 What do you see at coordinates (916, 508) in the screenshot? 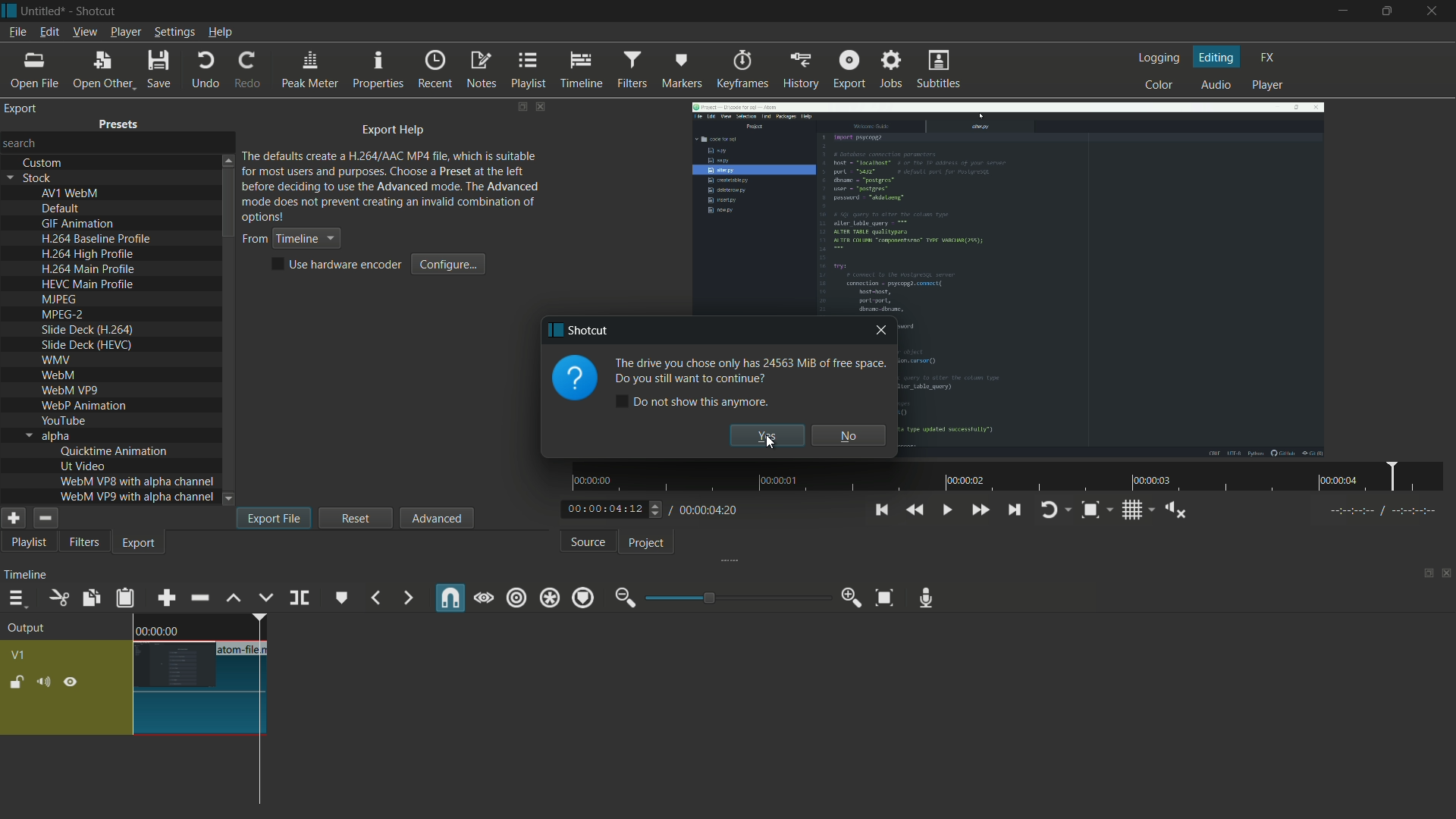
I see `quickly play backward` at bounding box center [916, 508].